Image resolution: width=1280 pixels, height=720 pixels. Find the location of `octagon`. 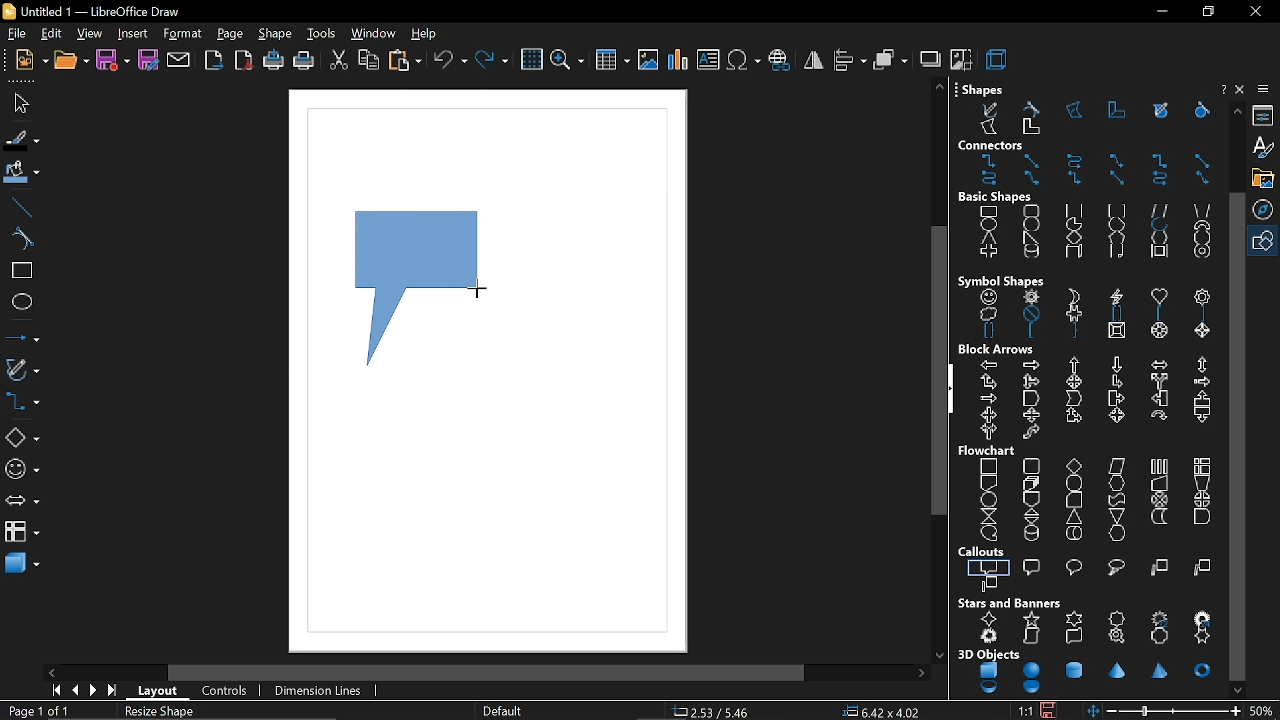

octagon is located at coordinates (1200, 239).